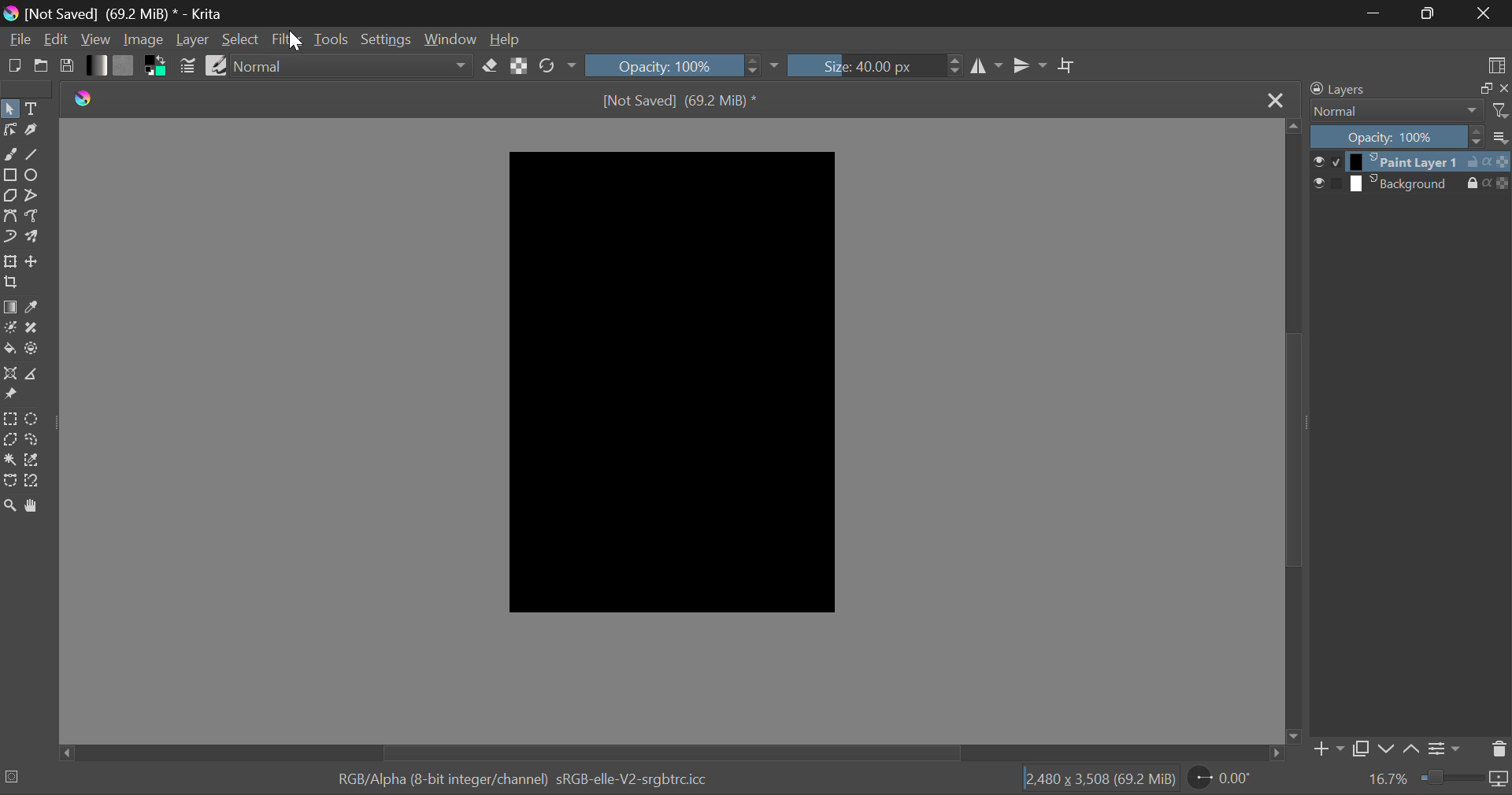 The image size is (1512, 795). What do you see at coordinates (1275, 98) in the screenshot?
I see `Close` at bounding box center [1275, 98].